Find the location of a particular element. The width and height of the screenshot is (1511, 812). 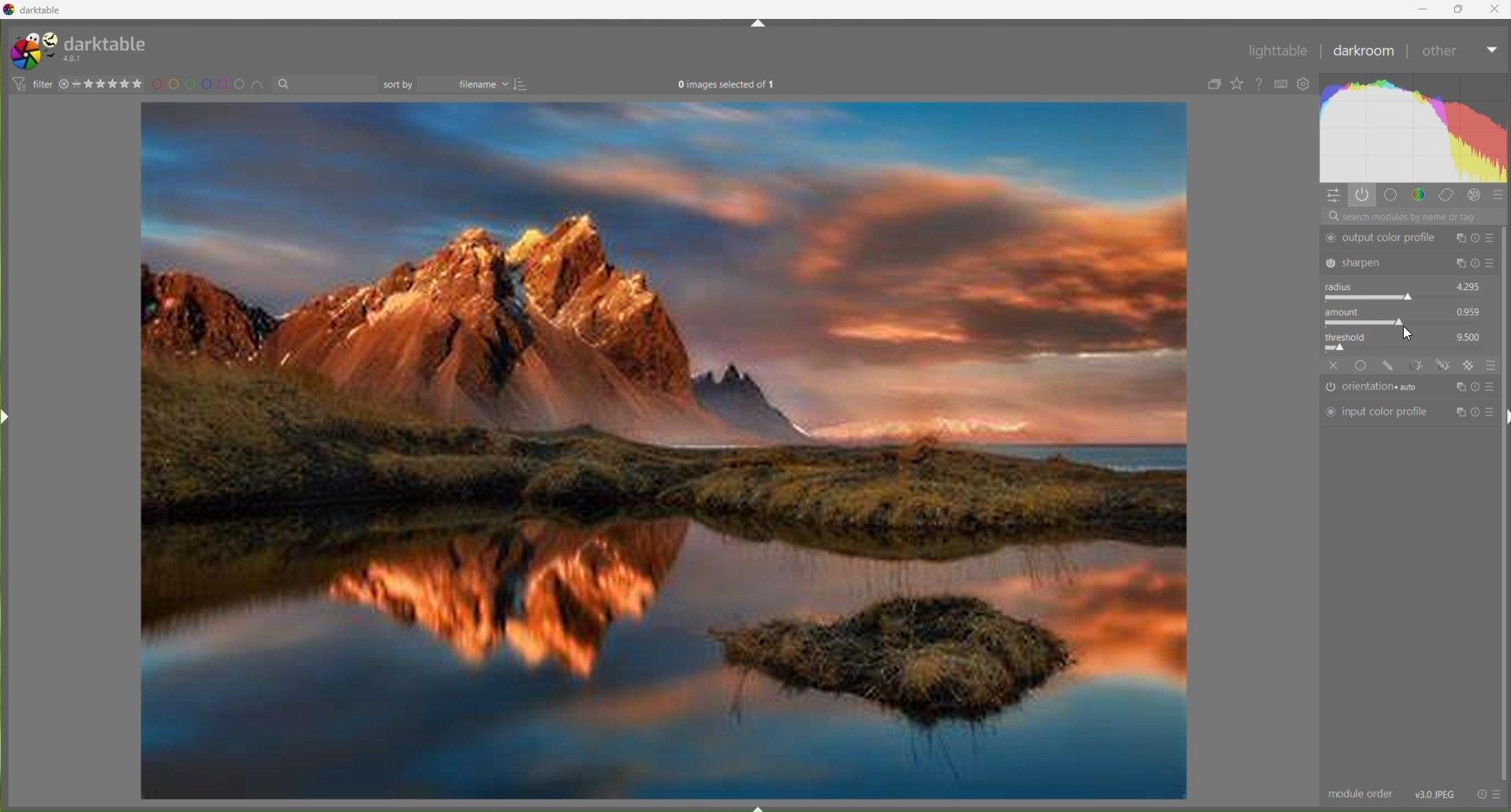

text is located at coordinates (726, 86).